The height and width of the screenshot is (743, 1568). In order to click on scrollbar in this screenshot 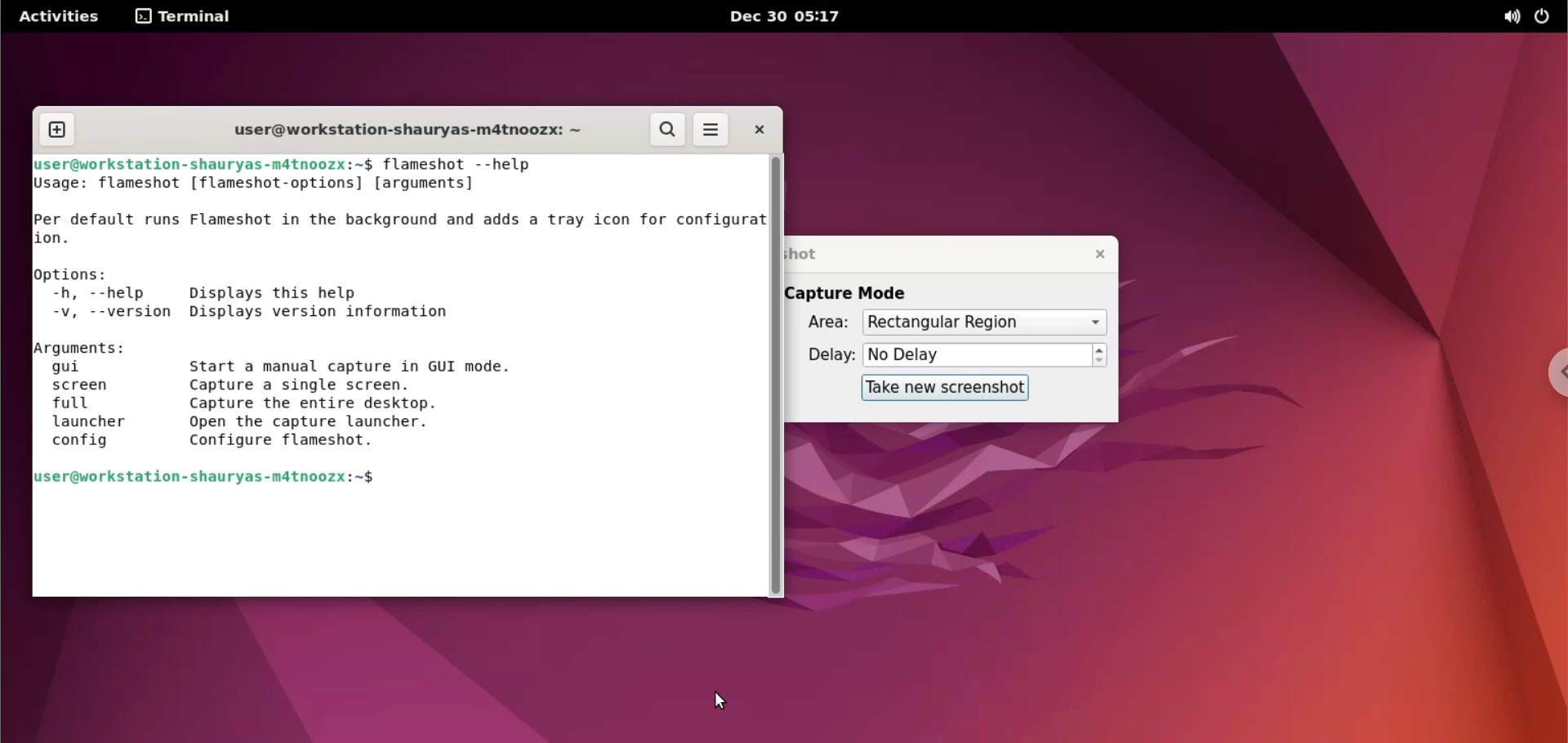, I will do `click(777, 378)`.